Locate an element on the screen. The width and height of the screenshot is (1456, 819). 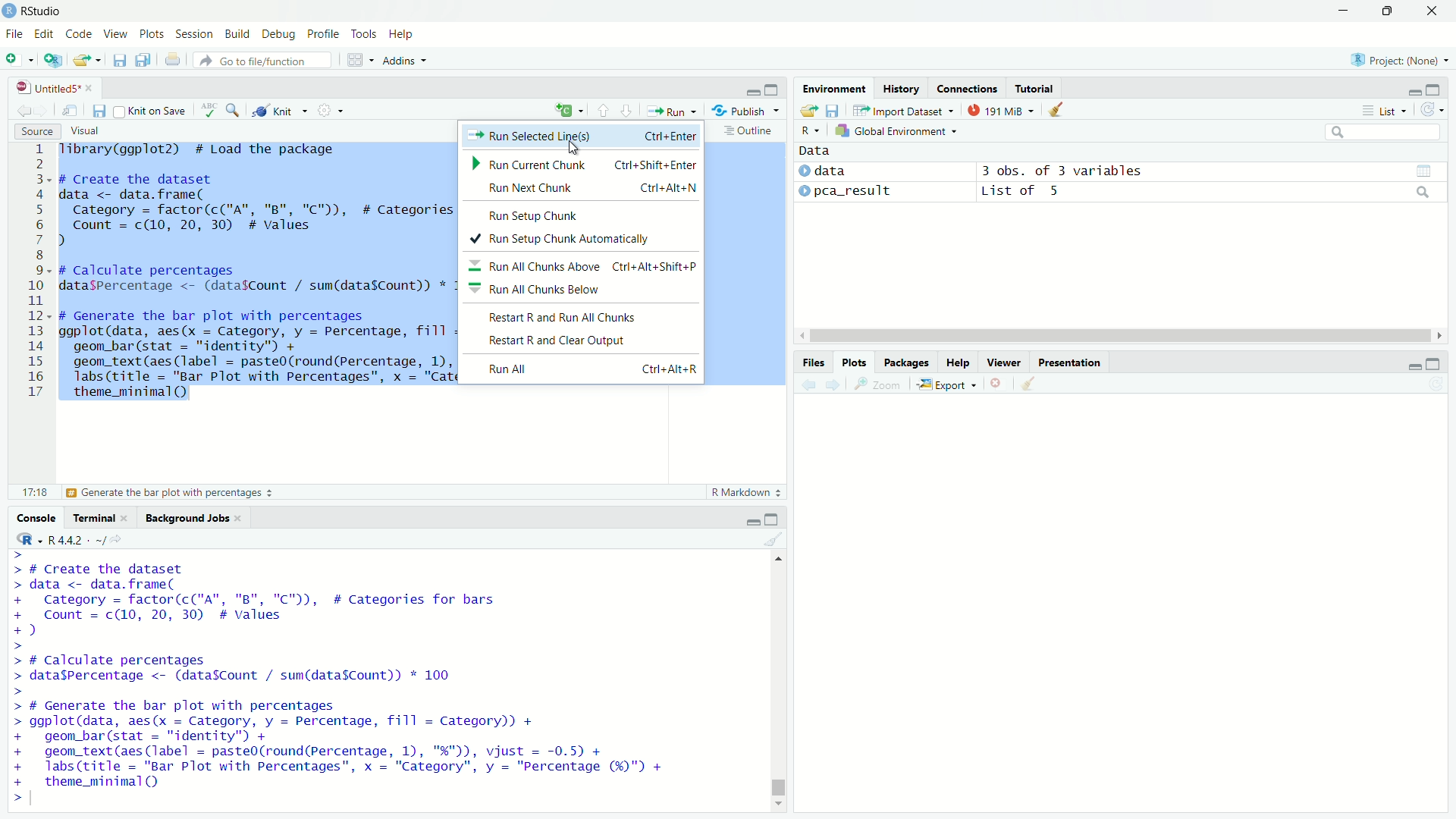
Code is located at coordinates (80, 35).